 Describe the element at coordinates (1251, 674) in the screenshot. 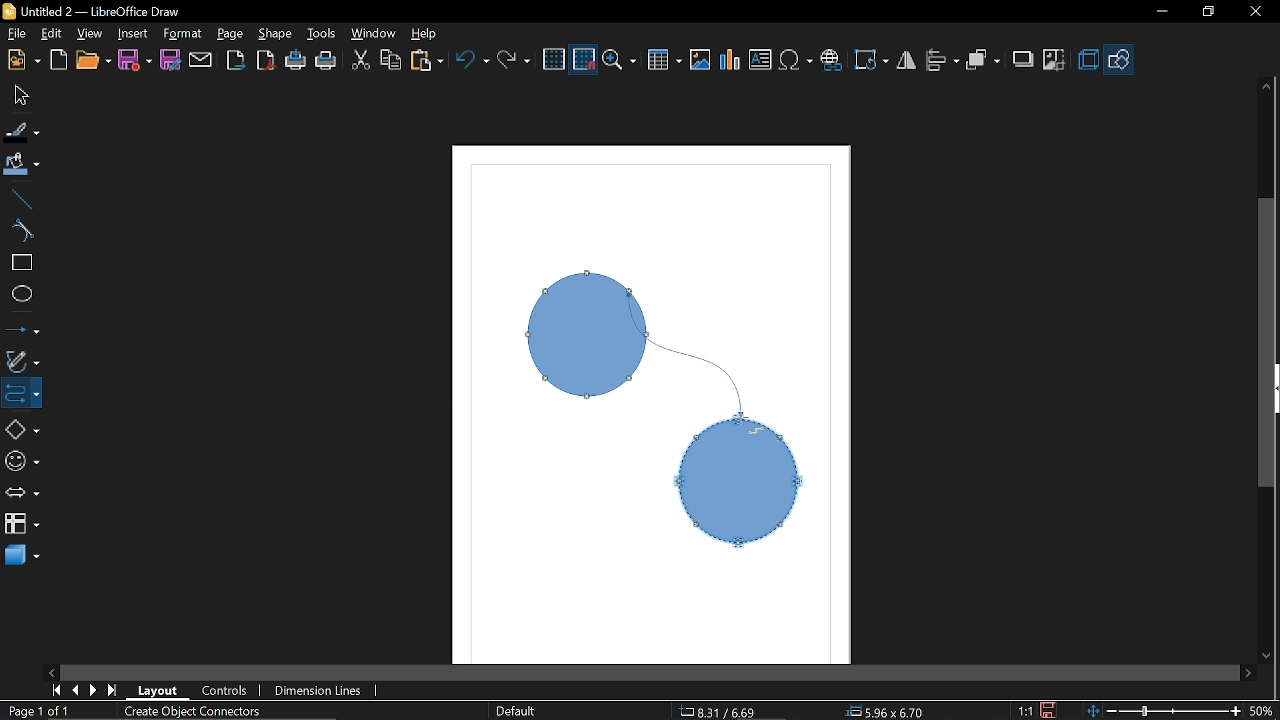

I see `Move right` at that location.